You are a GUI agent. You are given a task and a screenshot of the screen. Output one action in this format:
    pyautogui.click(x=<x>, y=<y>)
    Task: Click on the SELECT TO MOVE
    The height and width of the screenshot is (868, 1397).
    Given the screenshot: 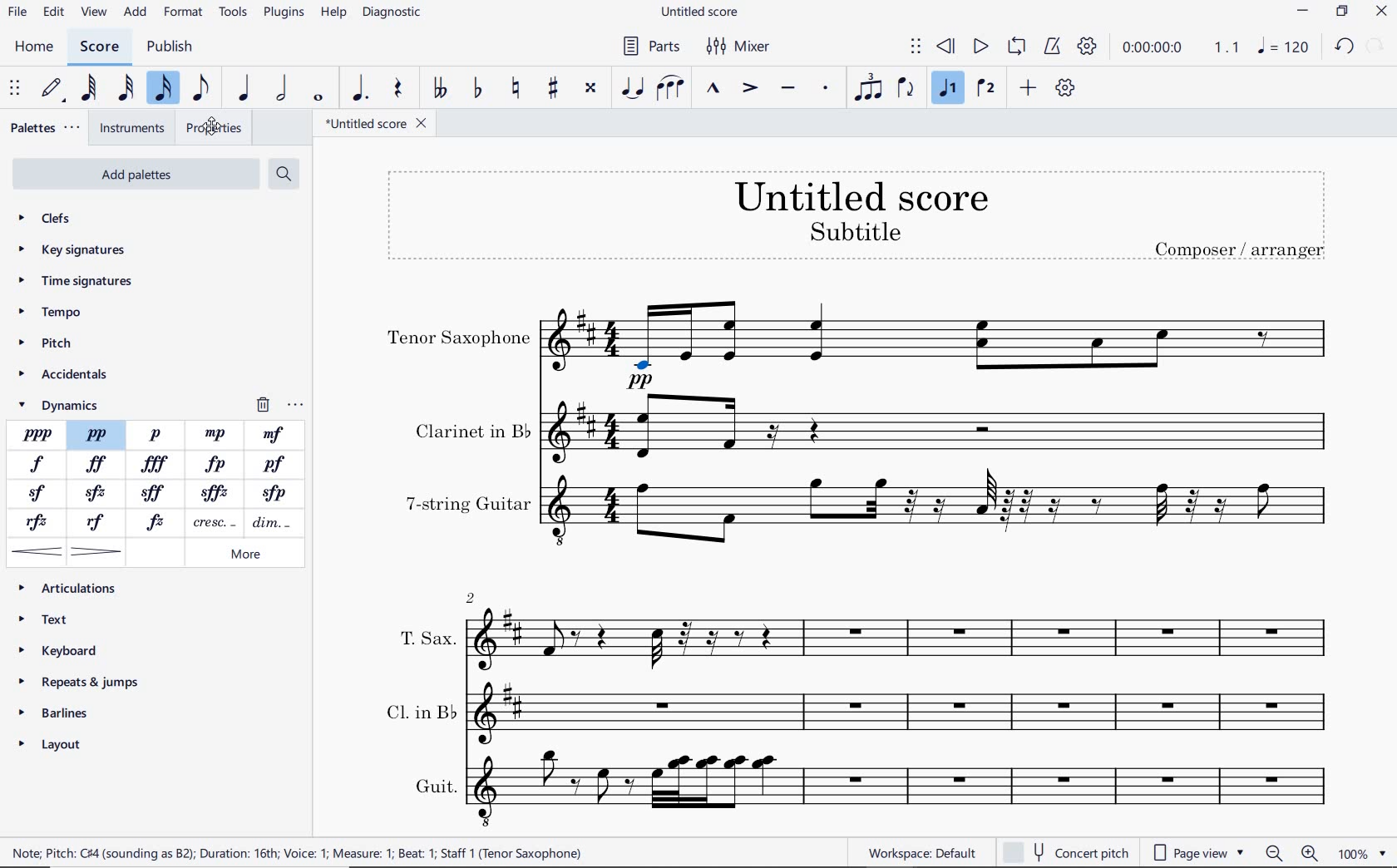 What is the action you would take?
    pyautogui.click(x=919, y=47)
    